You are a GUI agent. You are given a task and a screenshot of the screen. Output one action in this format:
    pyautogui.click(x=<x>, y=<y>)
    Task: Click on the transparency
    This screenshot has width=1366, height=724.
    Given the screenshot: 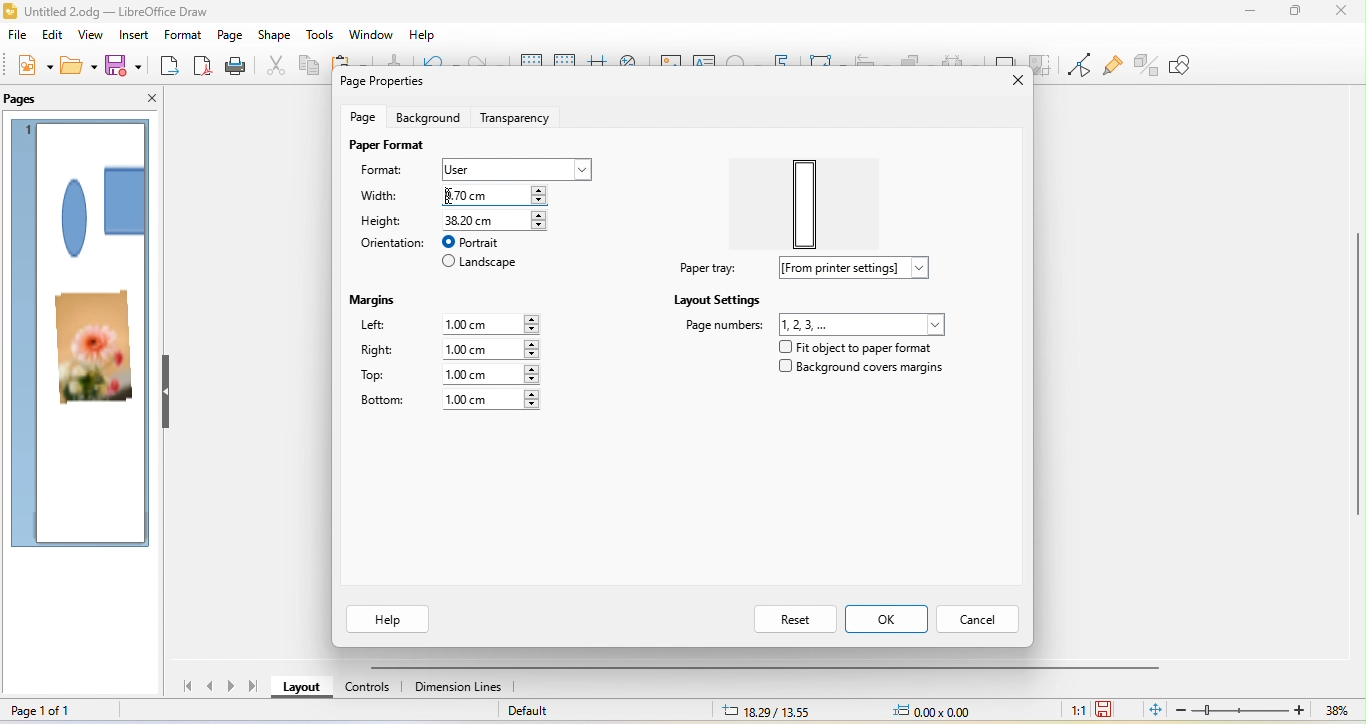 What is the action you would take?
    pyautogui.click(x=515, y=114)
    